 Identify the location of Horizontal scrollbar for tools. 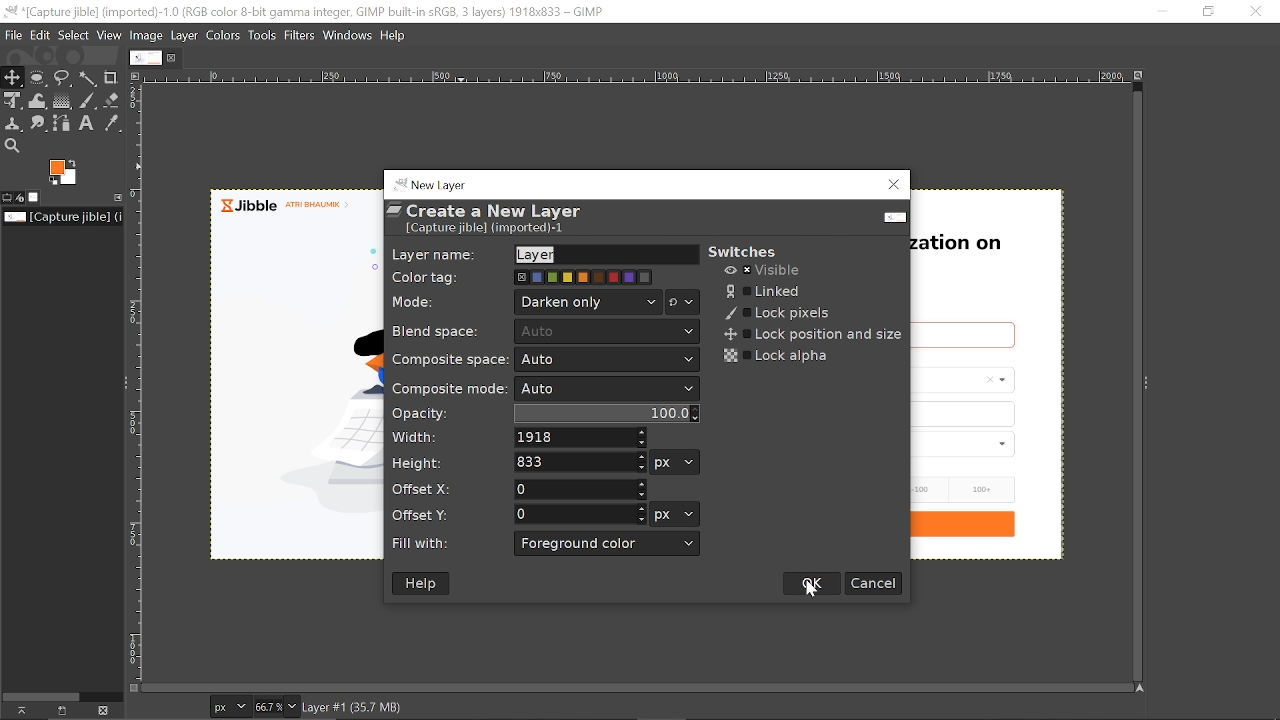
(41, 695).